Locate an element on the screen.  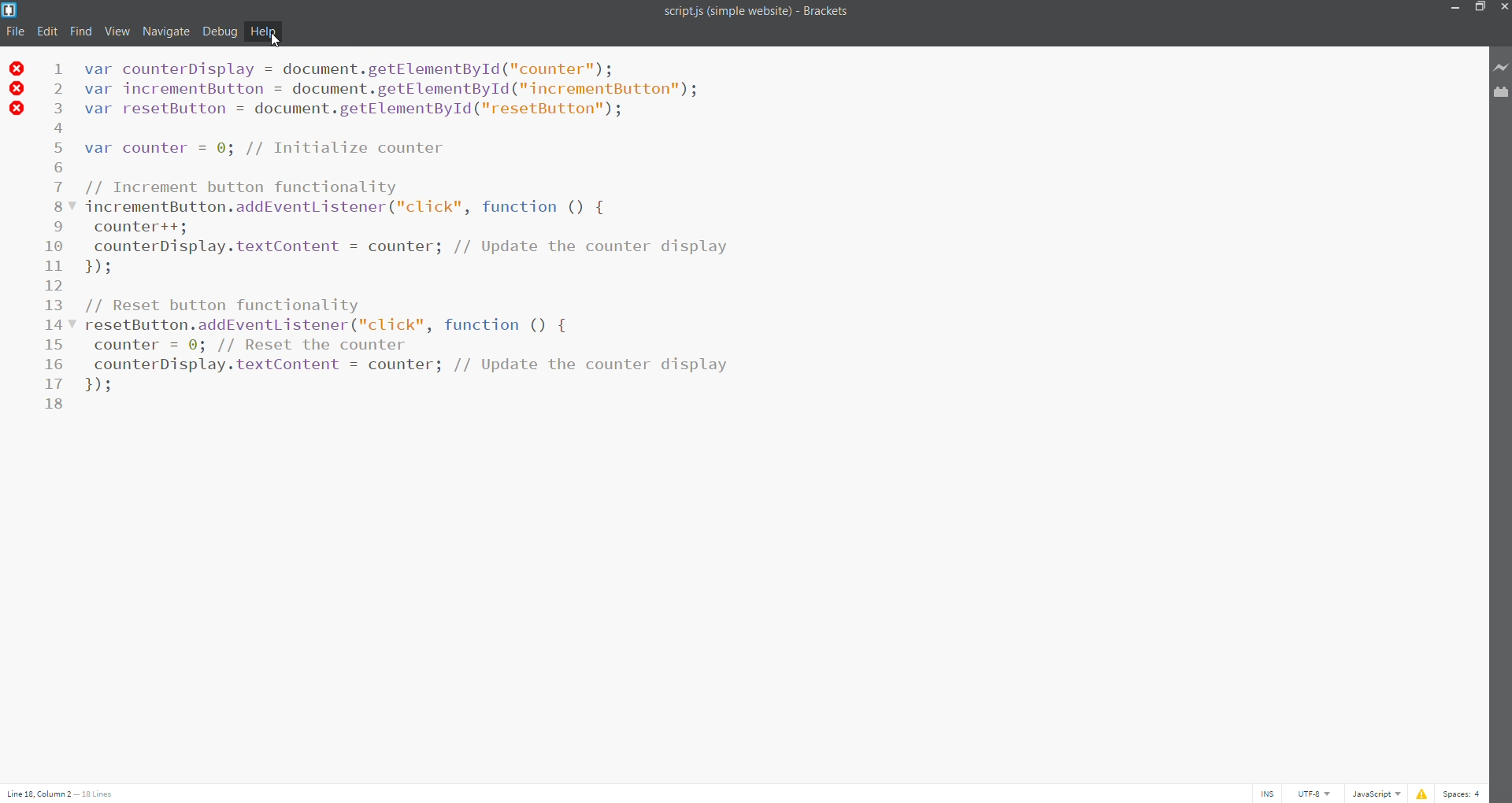
help is located at coordinates (265, 32).